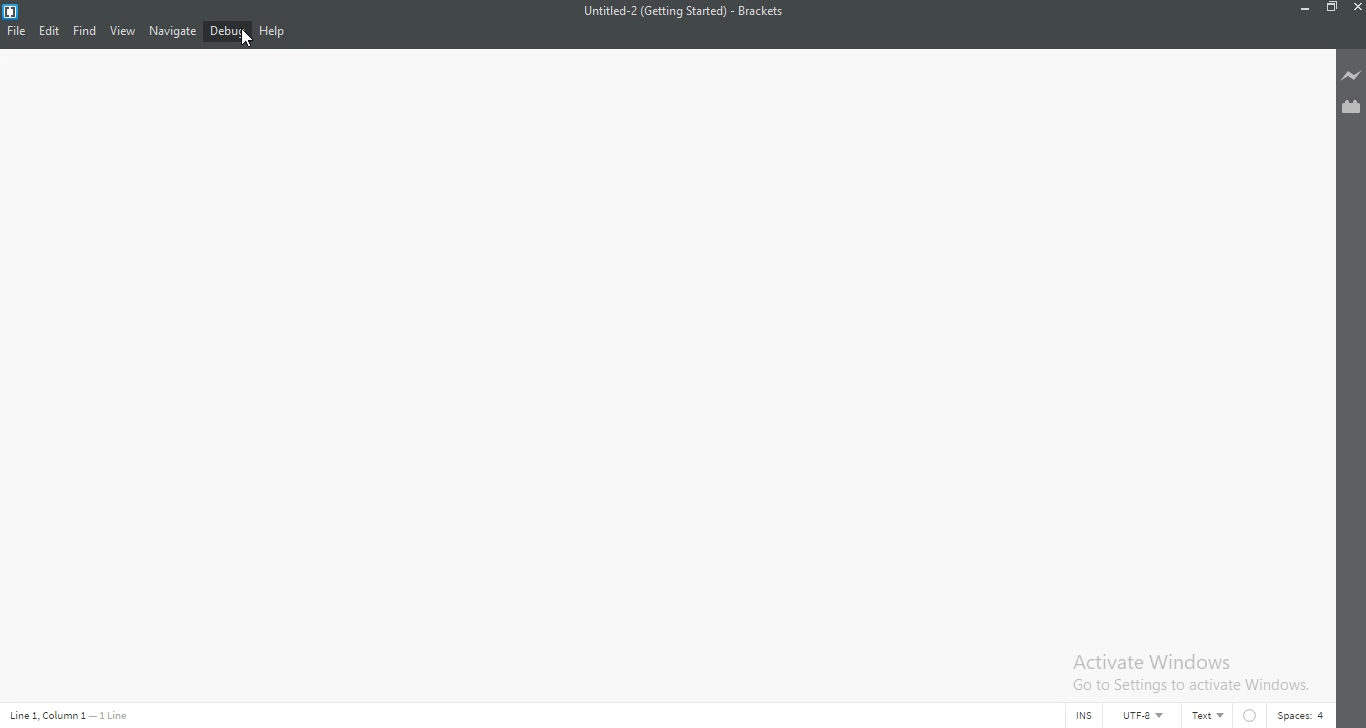 Image resolution: width=1366 pixels, height=728 pixels. I want to click on minimize, so click(1306, 7).